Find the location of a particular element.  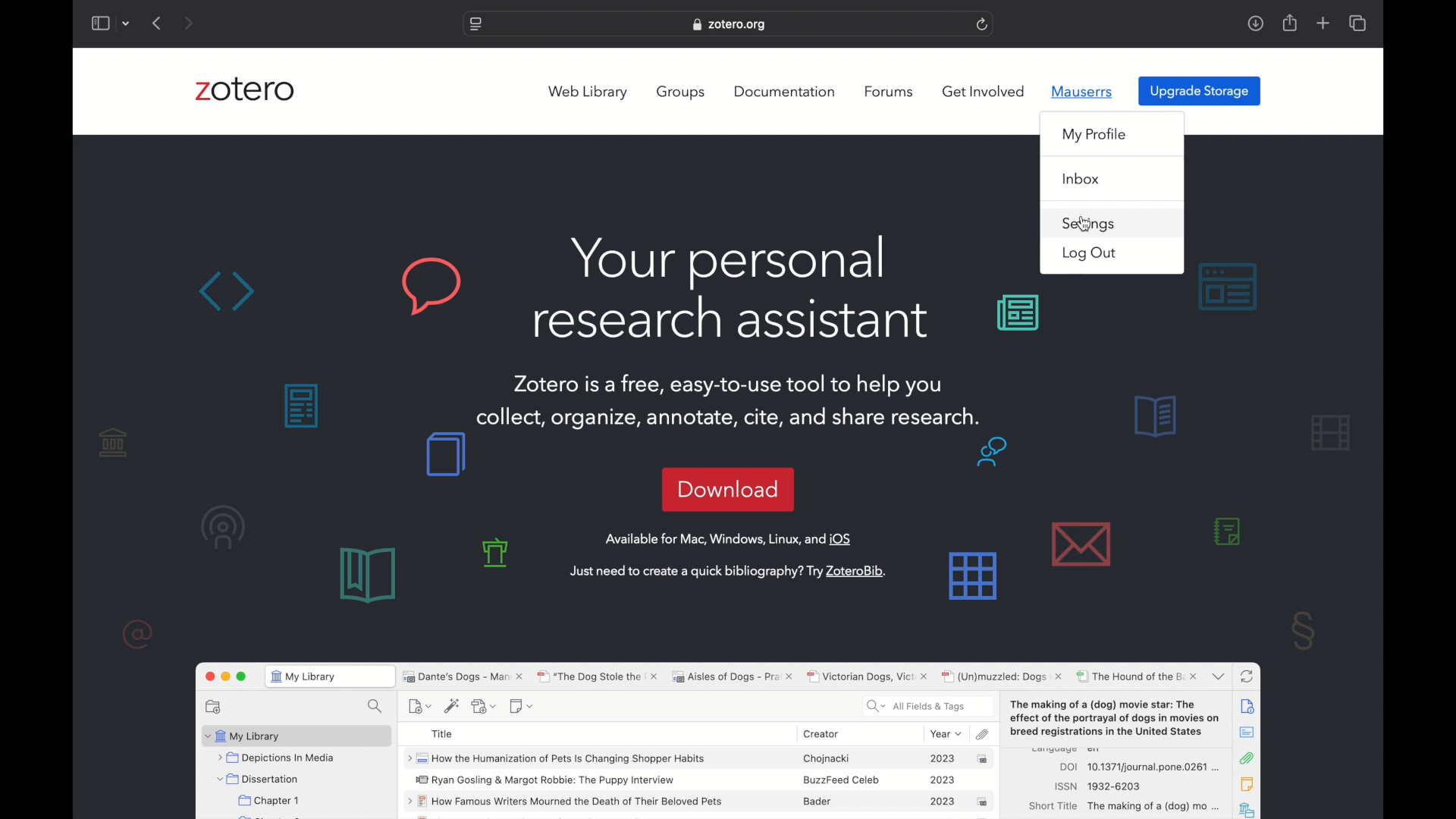

inbox is located at coordinates (1082, 180).